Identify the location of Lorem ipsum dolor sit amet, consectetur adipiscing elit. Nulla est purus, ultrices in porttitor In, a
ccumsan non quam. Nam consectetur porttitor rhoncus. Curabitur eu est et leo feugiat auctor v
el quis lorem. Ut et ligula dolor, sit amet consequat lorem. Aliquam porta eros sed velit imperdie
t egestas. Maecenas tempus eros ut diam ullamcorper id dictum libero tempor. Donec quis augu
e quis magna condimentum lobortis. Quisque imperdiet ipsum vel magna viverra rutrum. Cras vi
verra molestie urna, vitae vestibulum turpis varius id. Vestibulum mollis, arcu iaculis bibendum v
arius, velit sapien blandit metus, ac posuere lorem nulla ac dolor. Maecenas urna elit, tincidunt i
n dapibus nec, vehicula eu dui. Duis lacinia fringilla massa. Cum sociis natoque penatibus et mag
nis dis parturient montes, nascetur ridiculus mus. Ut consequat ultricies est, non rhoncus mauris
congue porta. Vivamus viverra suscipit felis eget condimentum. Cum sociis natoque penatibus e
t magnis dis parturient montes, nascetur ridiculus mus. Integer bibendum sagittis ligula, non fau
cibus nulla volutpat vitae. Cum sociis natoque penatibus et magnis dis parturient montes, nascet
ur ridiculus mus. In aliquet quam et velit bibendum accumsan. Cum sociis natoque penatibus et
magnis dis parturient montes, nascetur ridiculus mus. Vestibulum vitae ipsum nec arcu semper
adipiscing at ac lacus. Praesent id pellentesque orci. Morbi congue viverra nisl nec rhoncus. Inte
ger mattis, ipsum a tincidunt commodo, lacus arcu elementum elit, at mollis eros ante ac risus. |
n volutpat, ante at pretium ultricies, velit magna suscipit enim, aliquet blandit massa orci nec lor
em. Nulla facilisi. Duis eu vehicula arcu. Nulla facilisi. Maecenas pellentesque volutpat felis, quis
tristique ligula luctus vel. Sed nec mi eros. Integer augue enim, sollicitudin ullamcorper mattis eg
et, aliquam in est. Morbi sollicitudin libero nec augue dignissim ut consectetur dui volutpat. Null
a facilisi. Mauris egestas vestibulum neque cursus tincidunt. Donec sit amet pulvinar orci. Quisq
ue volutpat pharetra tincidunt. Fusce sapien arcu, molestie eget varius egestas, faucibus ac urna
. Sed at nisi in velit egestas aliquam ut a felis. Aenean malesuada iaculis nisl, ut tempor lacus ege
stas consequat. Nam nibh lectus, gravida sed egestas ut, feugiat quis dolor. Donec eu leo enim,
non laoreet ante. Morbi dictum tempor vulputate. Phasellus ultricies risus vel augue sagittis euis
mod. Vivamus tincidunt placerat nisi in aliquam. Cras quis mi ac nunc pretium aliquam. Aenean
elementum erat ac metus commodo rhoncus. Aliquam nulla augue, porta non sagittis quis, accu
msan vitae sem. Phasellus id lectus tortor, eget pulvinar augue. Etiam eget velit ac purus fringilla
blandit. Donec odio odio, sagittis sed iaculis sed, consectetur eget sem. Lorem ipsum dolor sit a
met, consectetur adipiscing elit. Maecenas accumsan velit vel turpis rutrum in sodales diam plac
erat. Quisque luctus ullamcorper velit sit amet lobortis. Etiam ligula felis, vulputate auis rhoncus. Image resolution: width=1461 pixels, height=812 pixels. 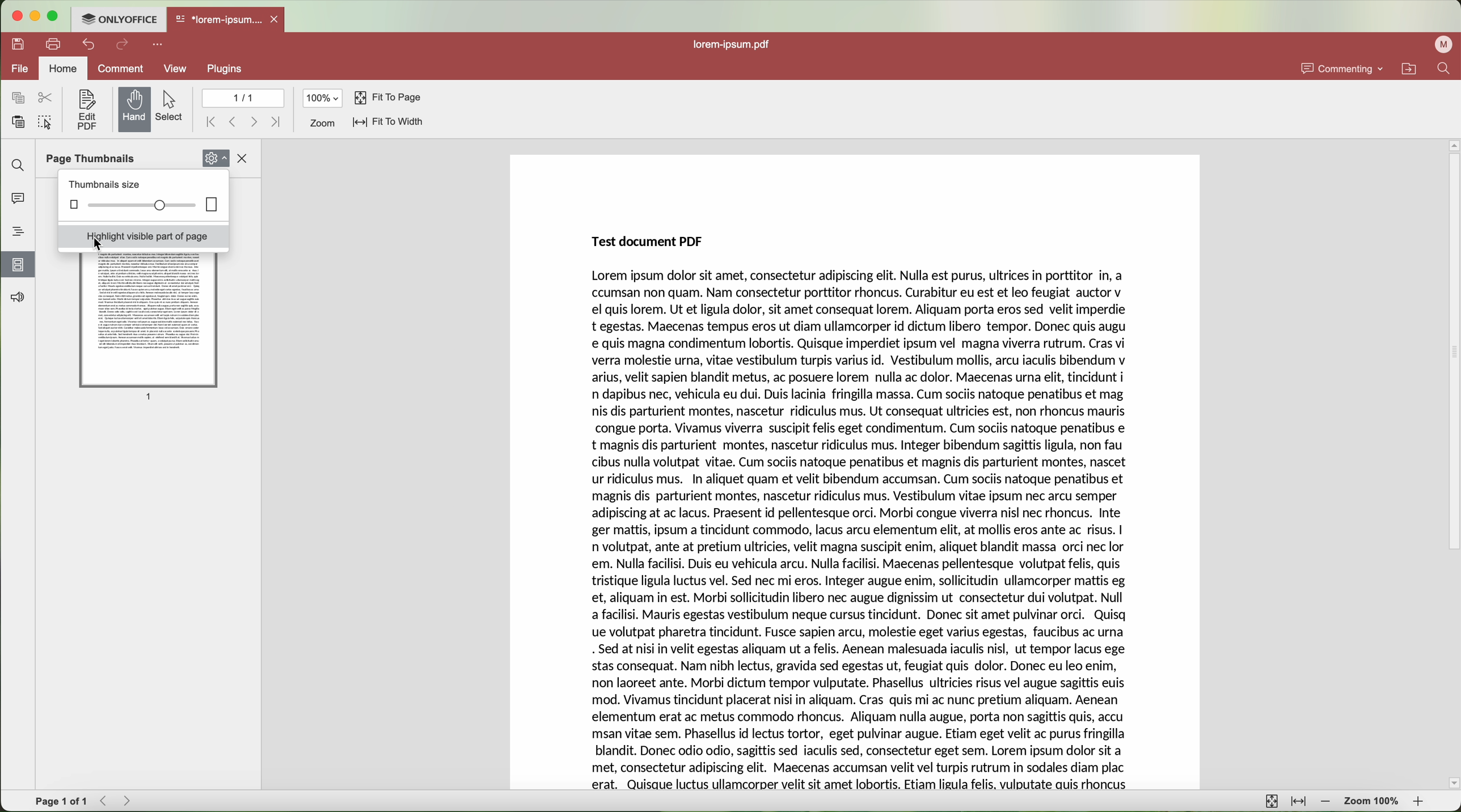
(859, 530).